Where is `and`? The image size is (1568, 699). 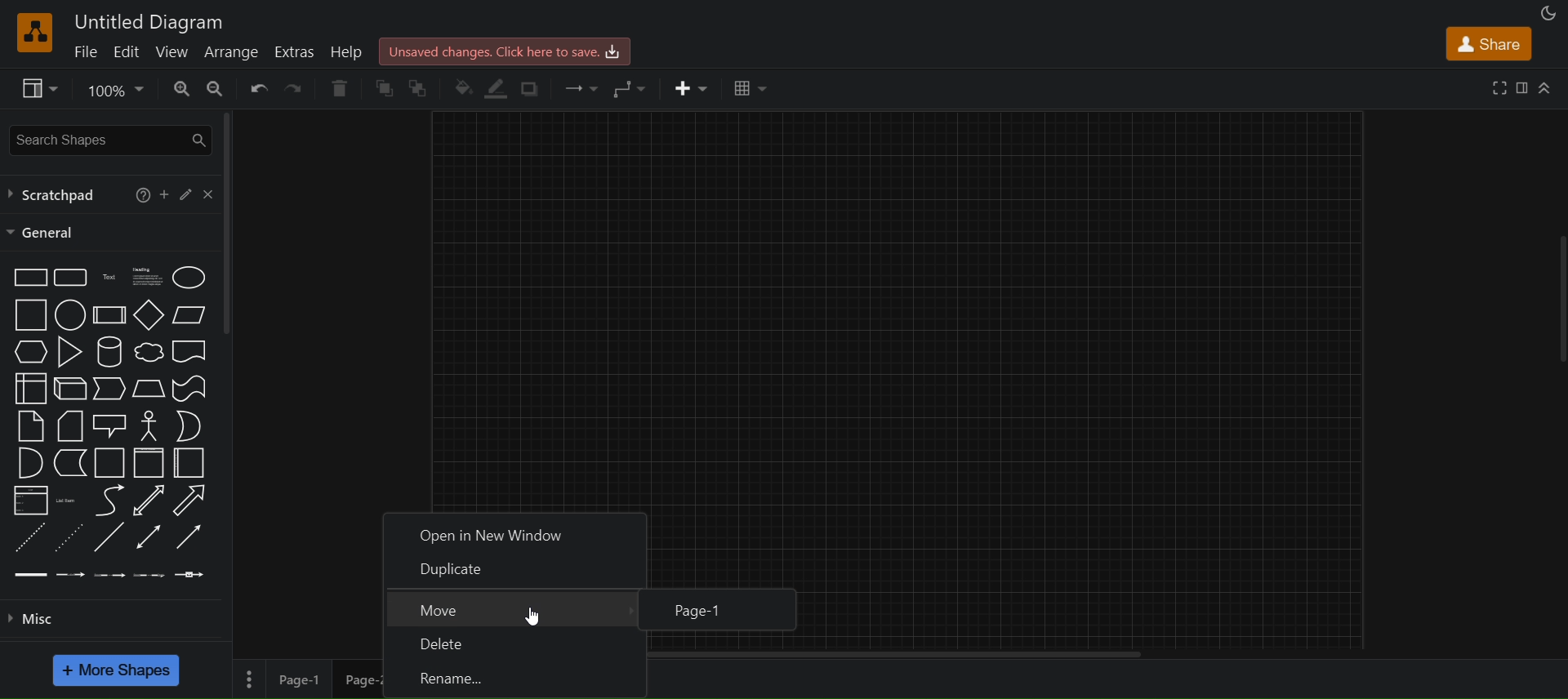 and is located at coordinates (29, 462).